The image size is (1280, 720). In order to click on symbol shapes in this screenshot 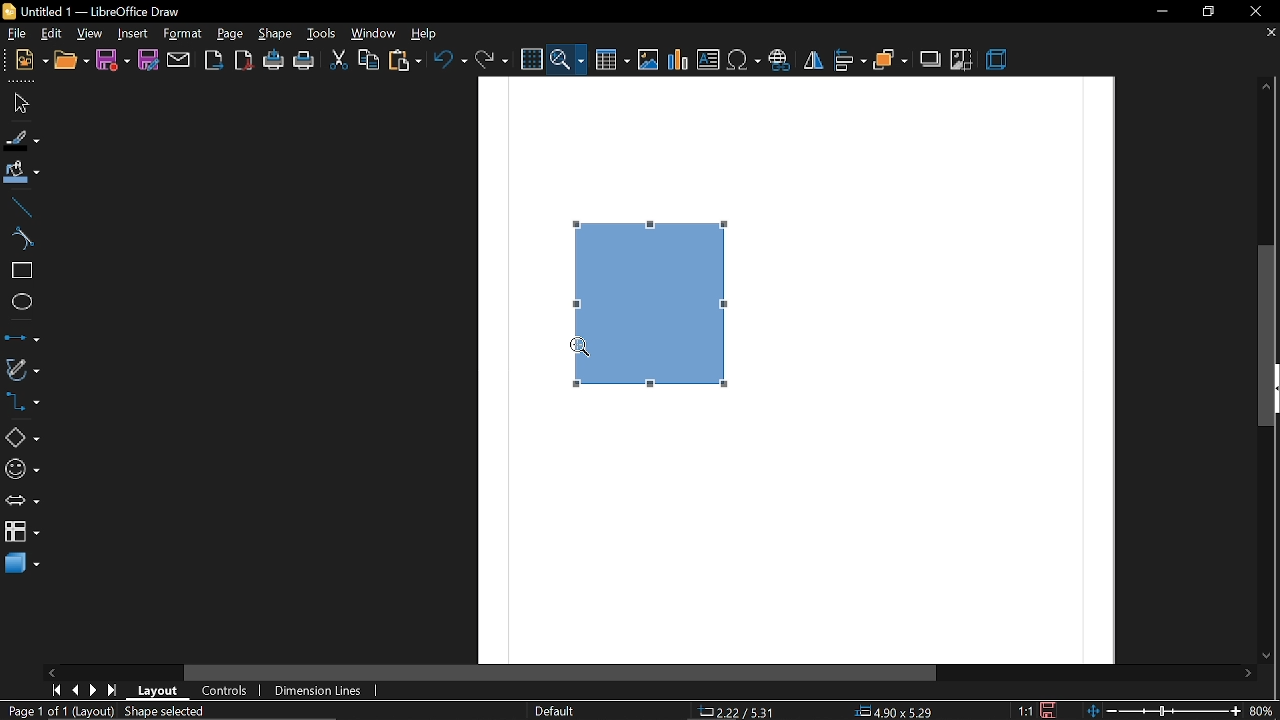, I will do `click(21, 471)`.